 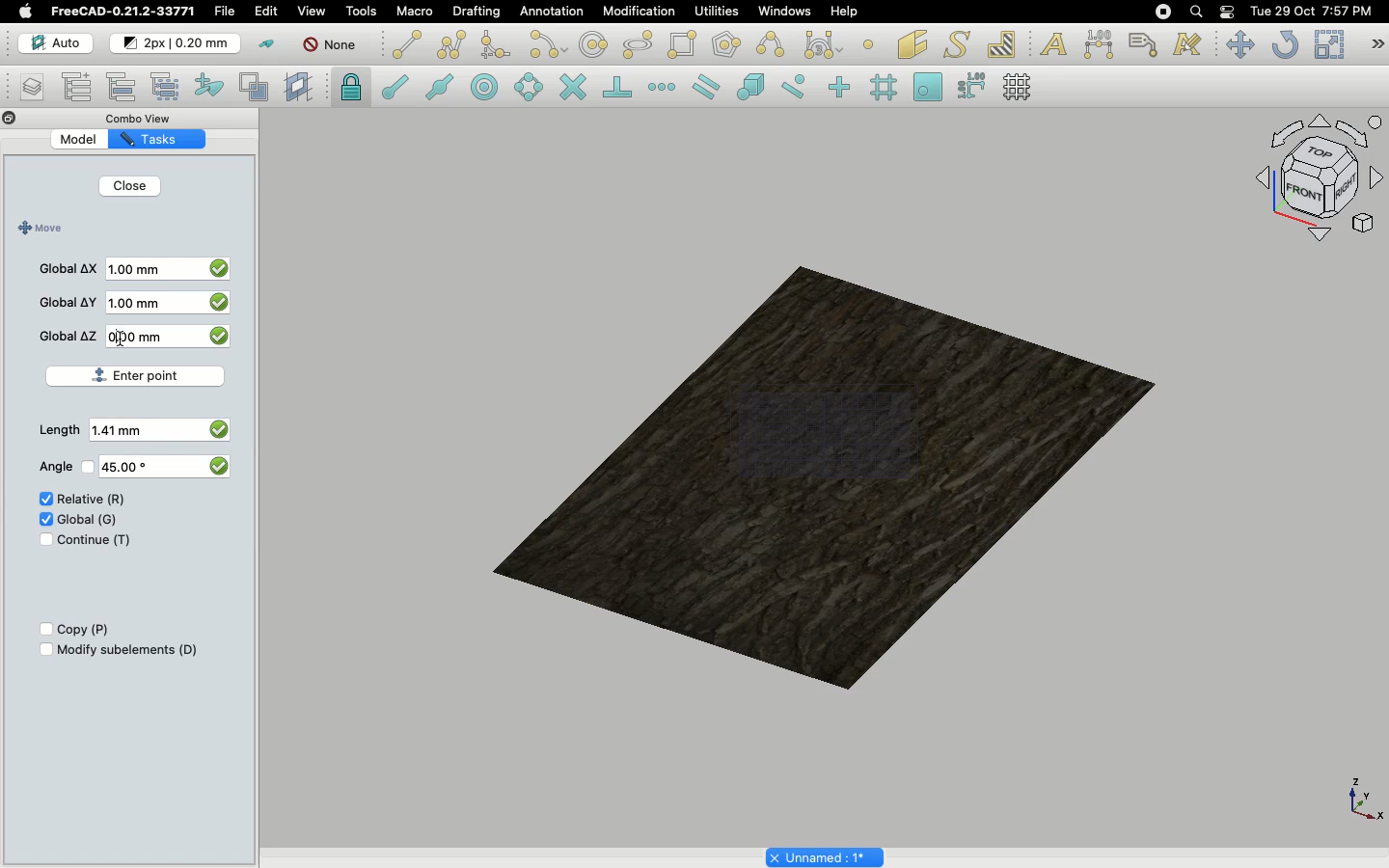 I want to click on Collapse, so click(x=28, y=119).